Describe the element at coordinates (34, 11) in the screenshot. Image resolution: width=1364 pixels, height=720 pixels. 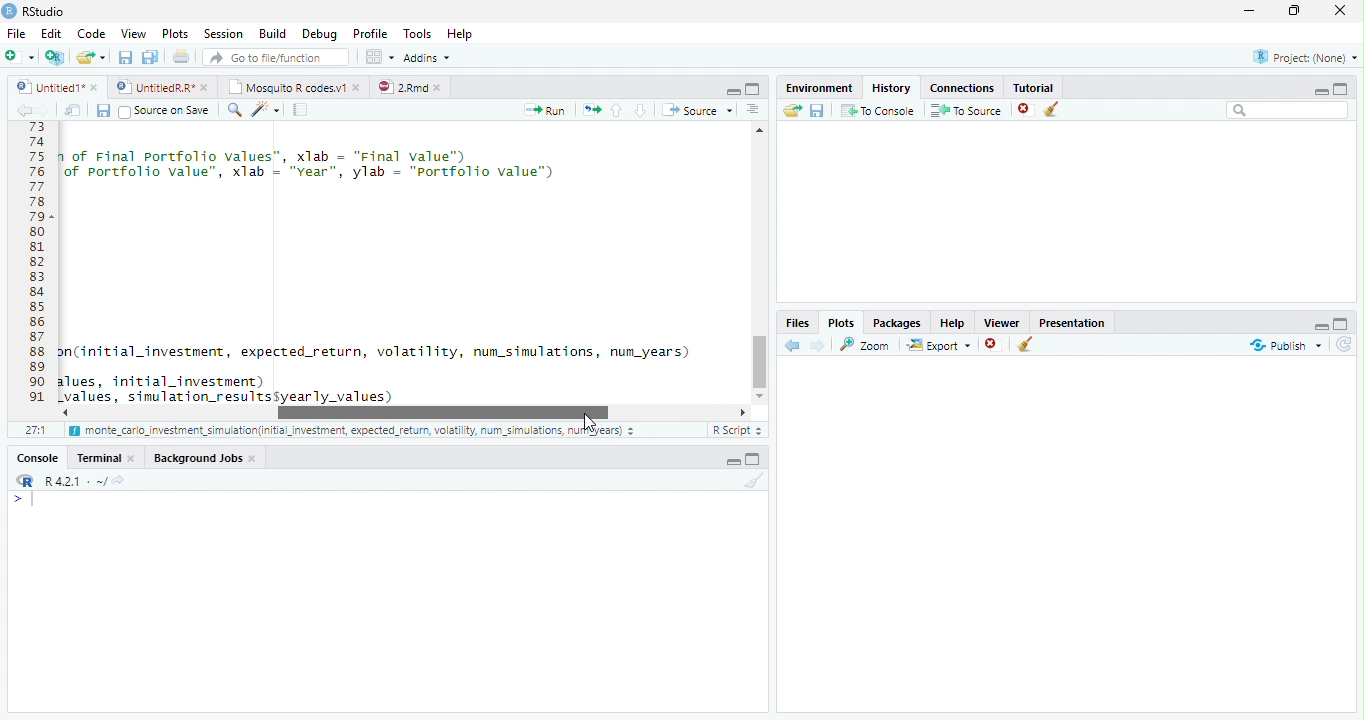
I see `RStudio` at that location.